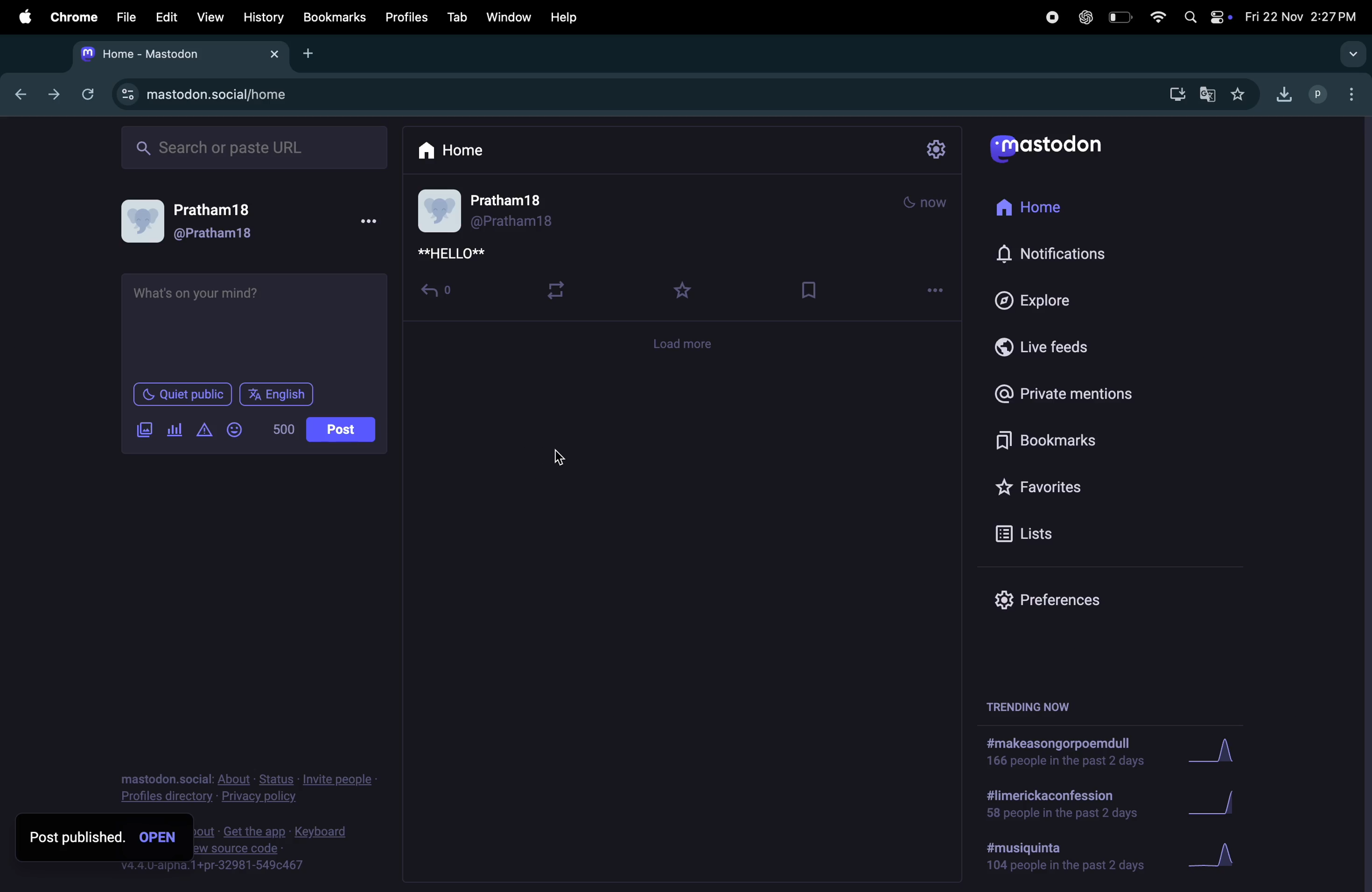 The image size is (1372, 892). Describe the element at coordinates (253, 147) in the screenshot. I see `search ba` at that location.